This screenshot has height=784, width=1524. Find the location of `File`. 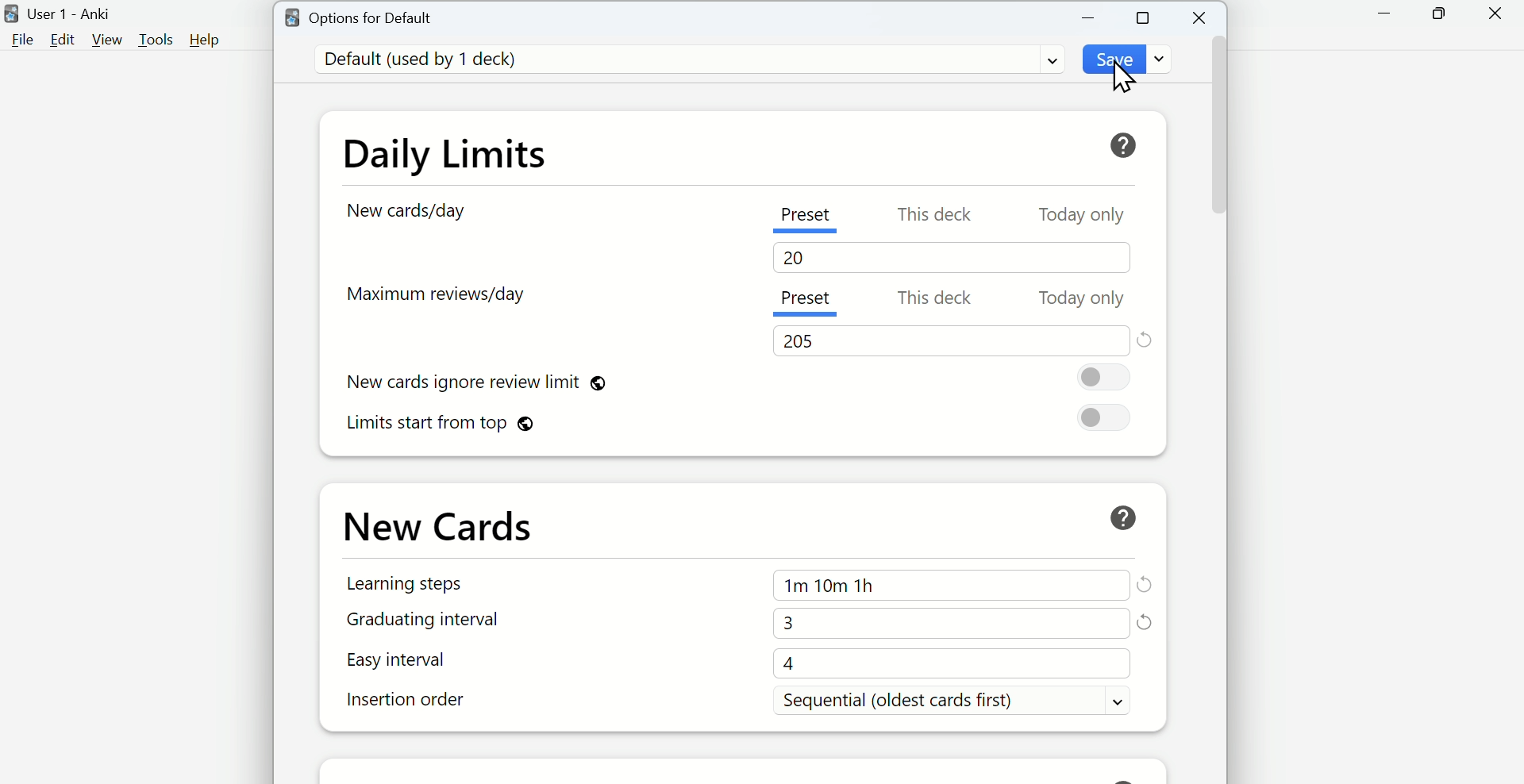

File is located at coordinates (22, 43).